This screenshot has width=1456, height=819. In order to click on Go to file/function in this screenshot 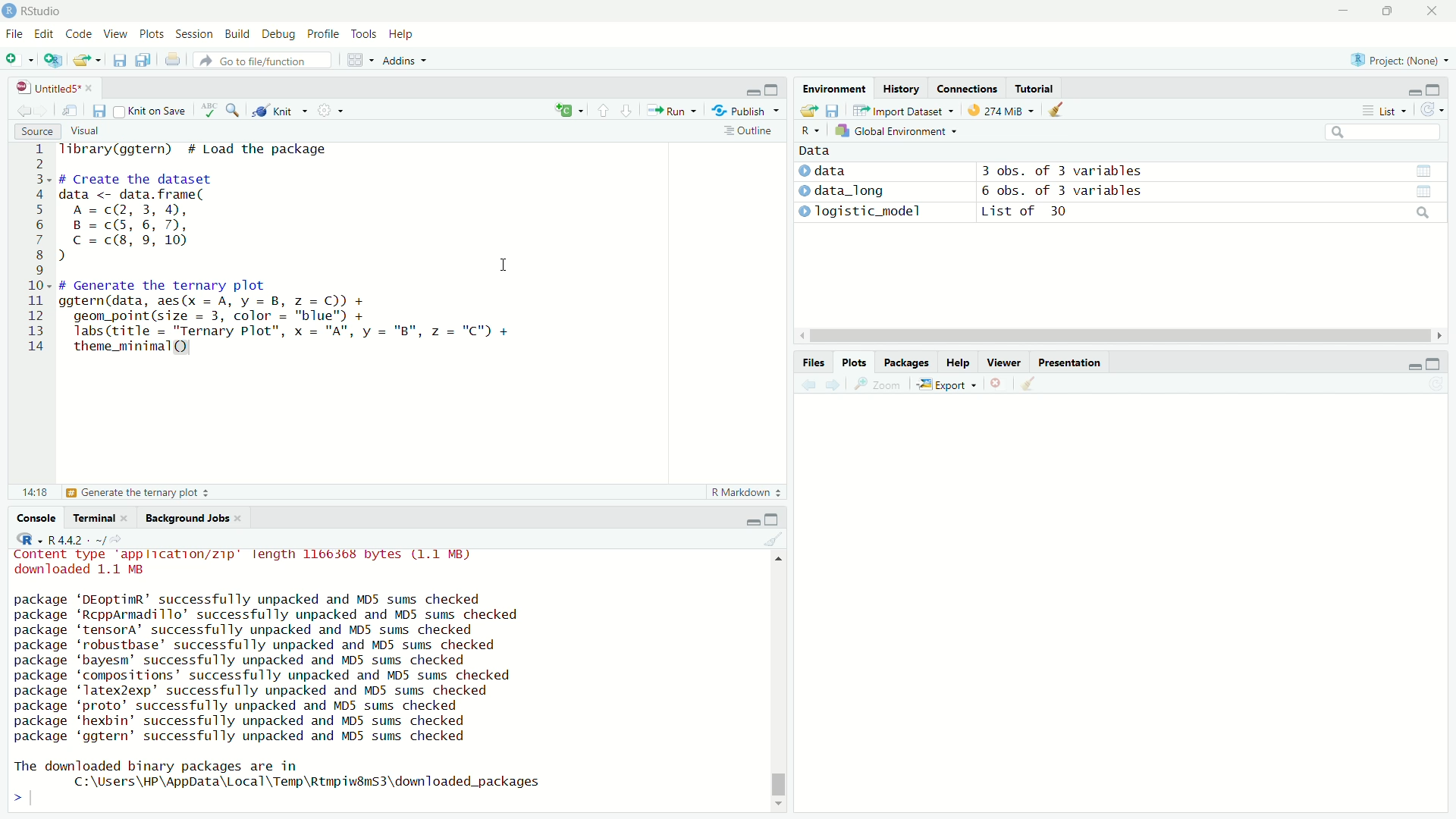, I will do `click(256, 60)`.